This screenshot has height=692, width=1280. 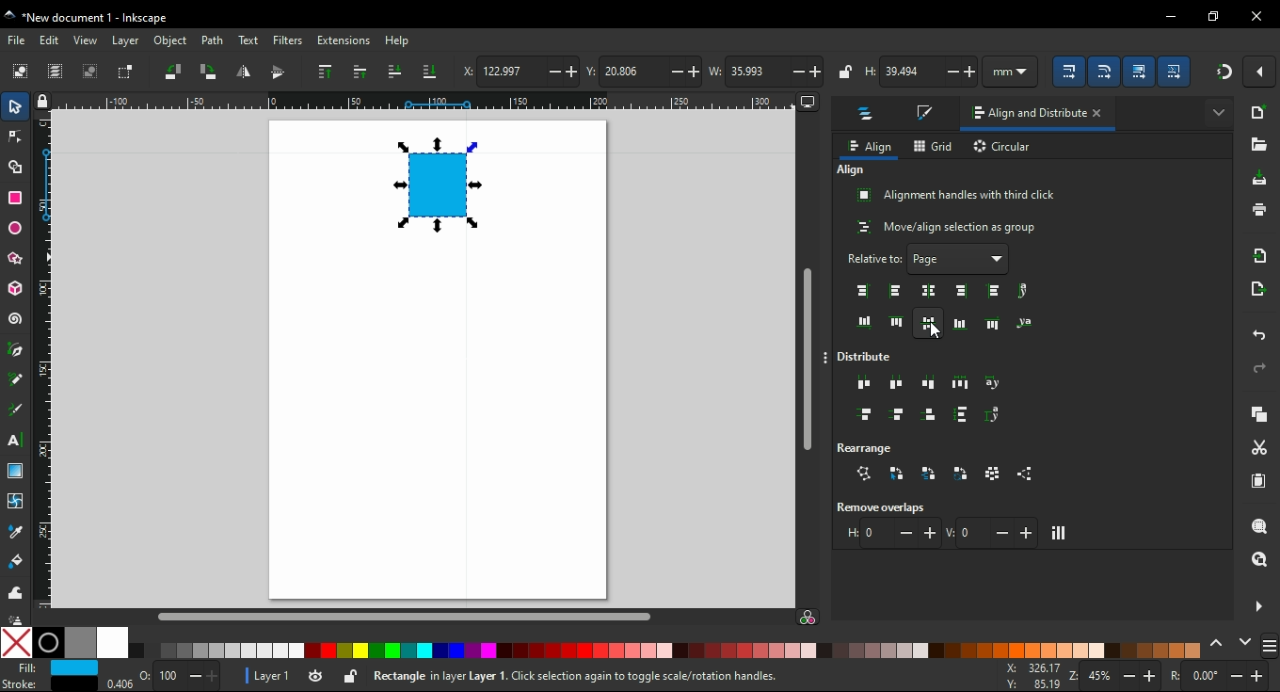 I want to click on align, so click(x=851, y=170).